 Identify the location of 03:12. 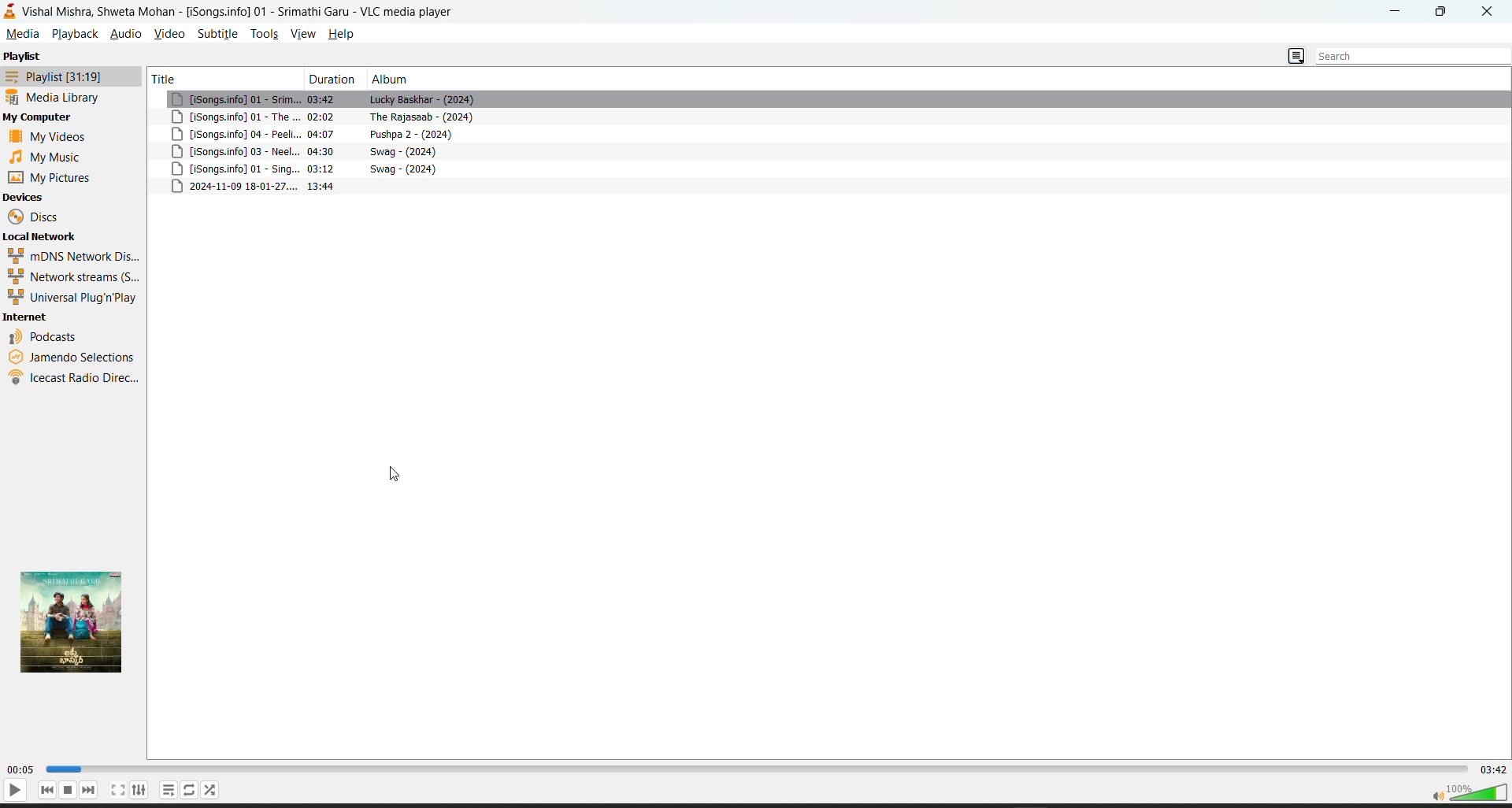
(325, 170).